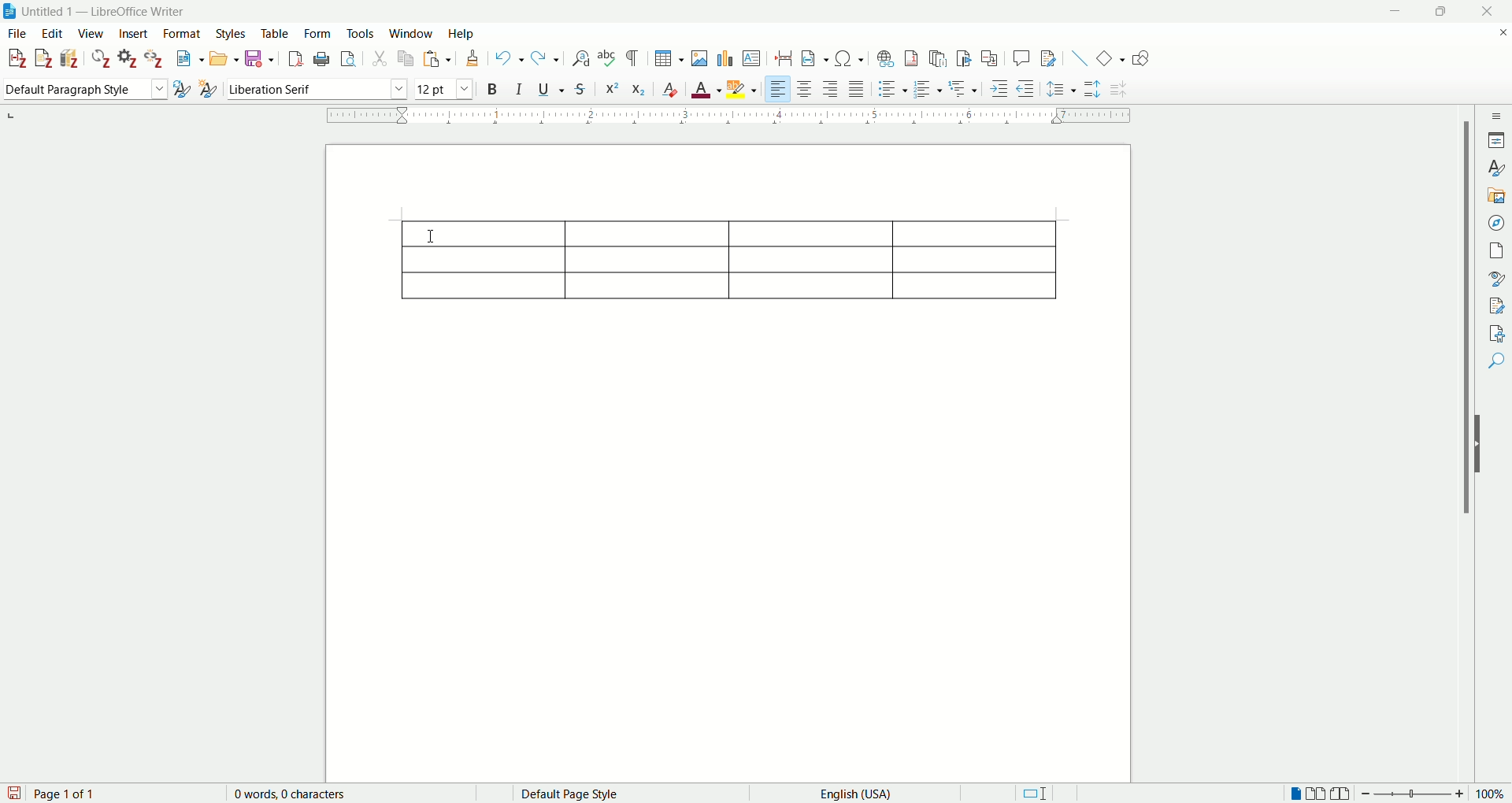 The width and height of the screenshot is (1512, 803). I want to click on form, so click(317, 31).